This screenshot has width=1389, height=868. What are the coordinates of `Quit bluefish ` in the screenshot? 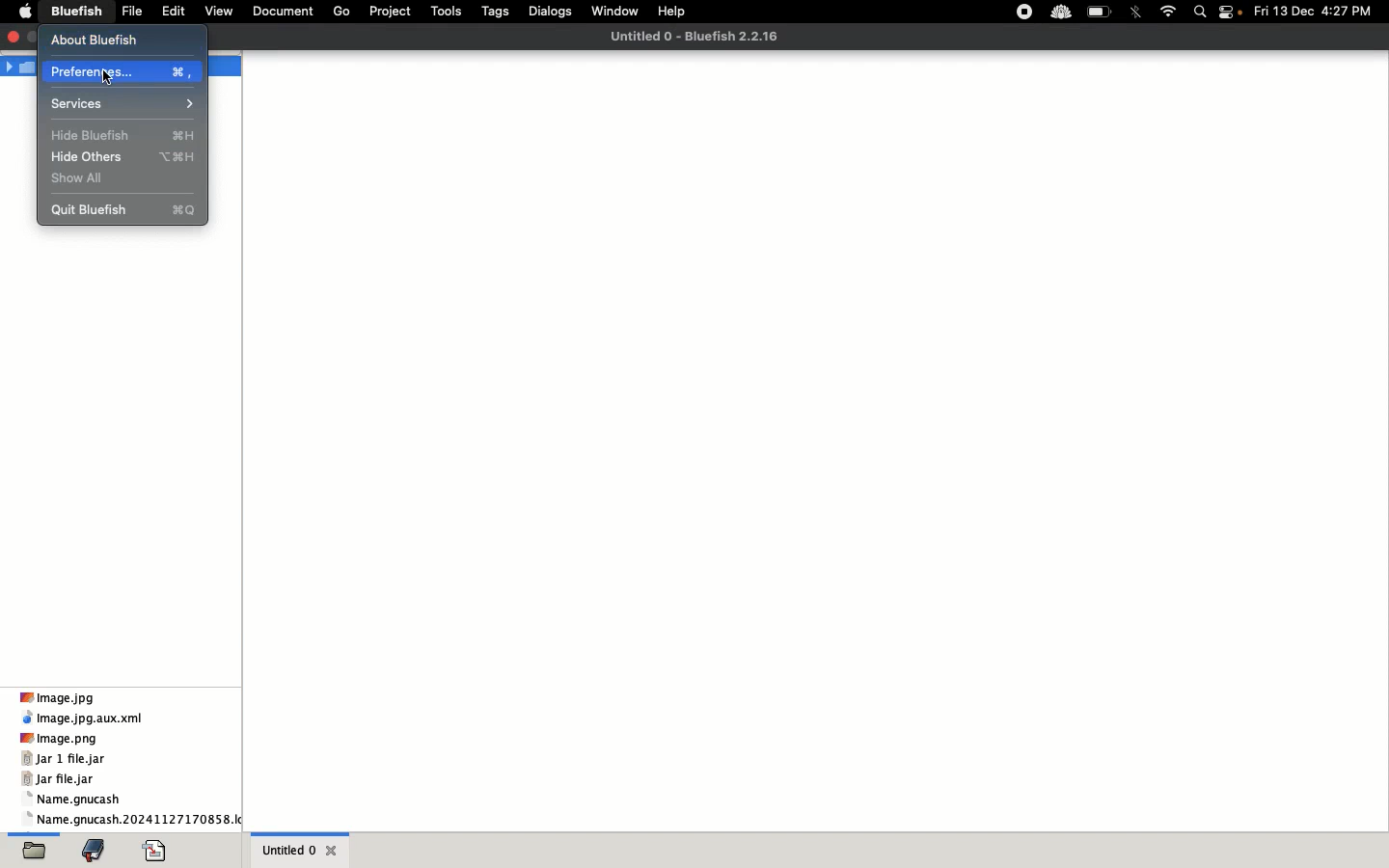 It's located at (130, 211).